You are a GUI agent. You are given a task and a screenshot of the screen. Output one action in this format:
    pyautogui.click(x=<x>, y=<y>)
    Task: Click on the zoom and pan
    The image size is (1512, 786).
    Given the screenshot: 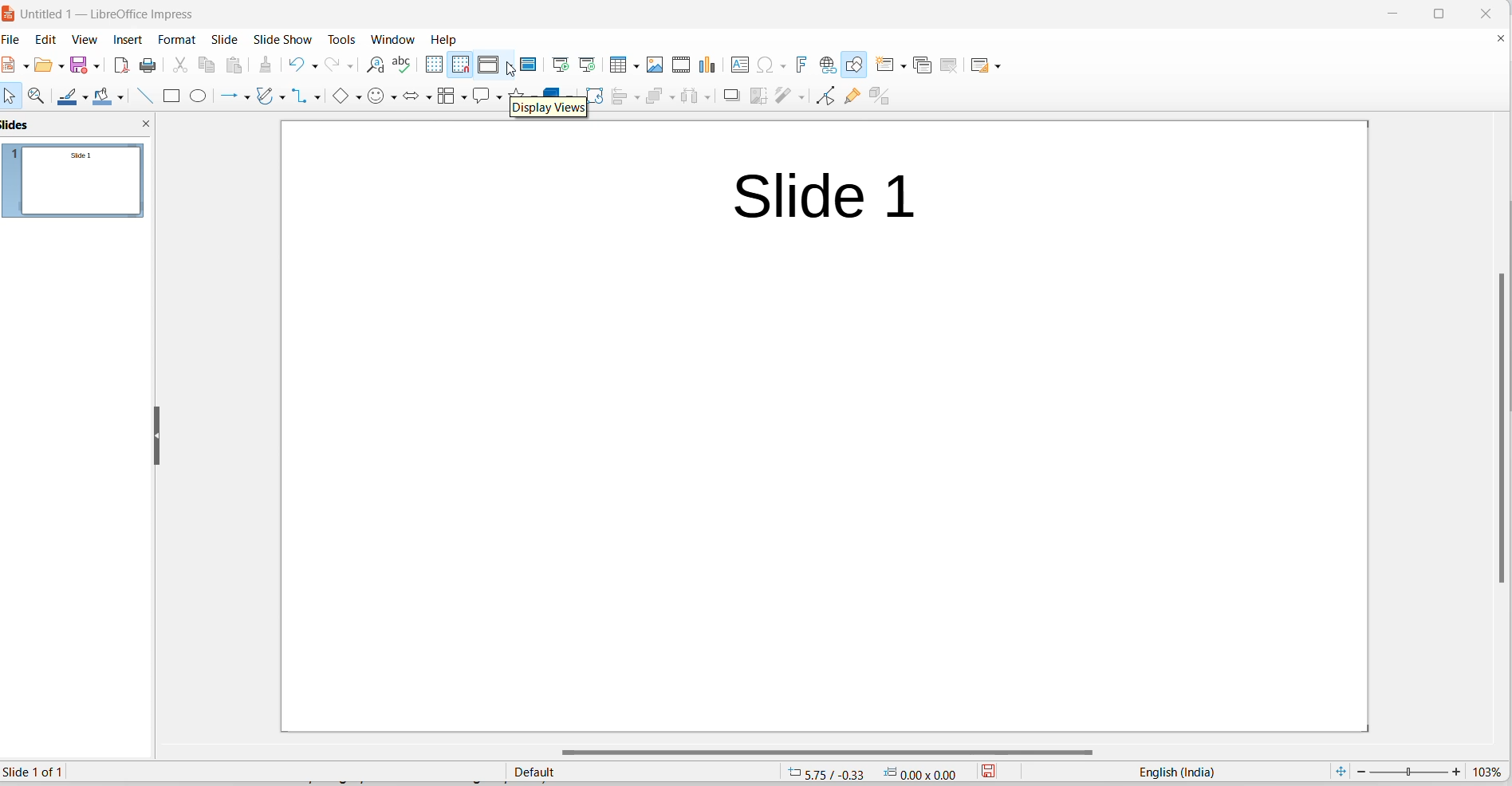 What is the action you would take?
    pyautogui.click(x=41, y=96)
    